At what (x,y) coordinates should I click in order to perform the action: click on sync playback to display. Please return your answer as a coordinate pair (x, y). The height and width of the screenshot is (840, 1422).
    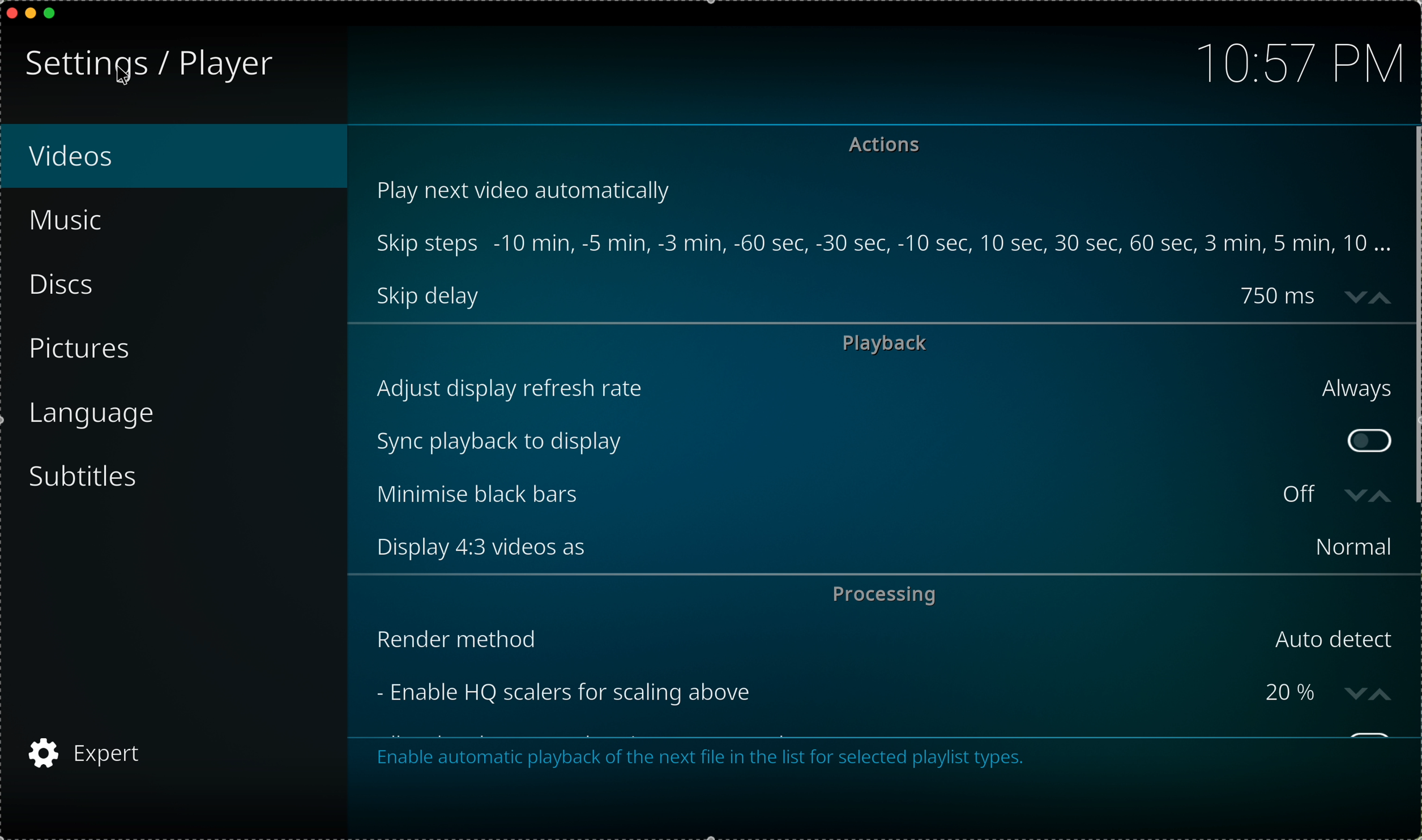
    Looking at the image, I should click on (853, 441).